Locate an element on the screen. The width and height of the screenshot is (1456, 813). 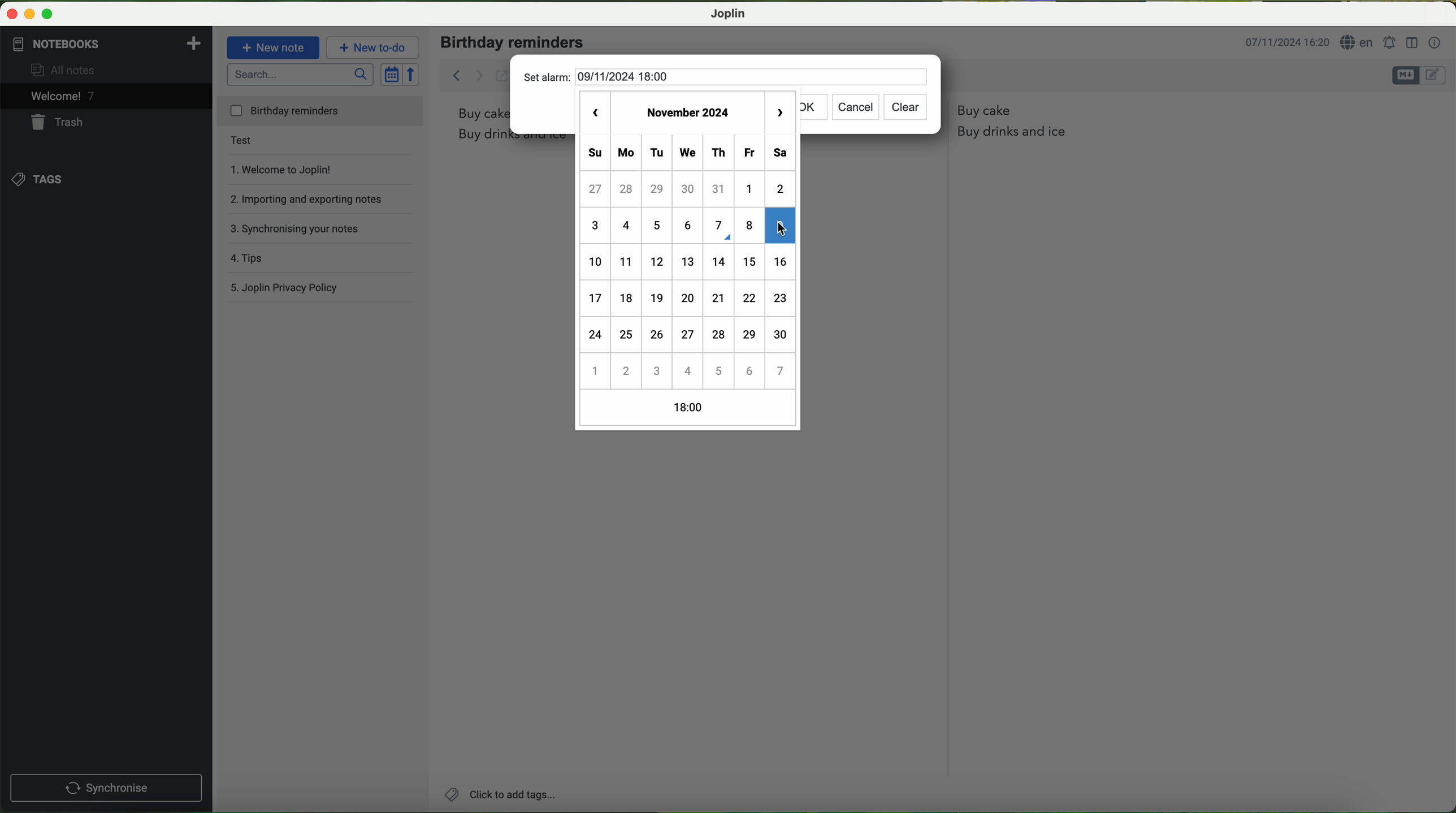
toggle sort order field is located at coordinates (391, 74).